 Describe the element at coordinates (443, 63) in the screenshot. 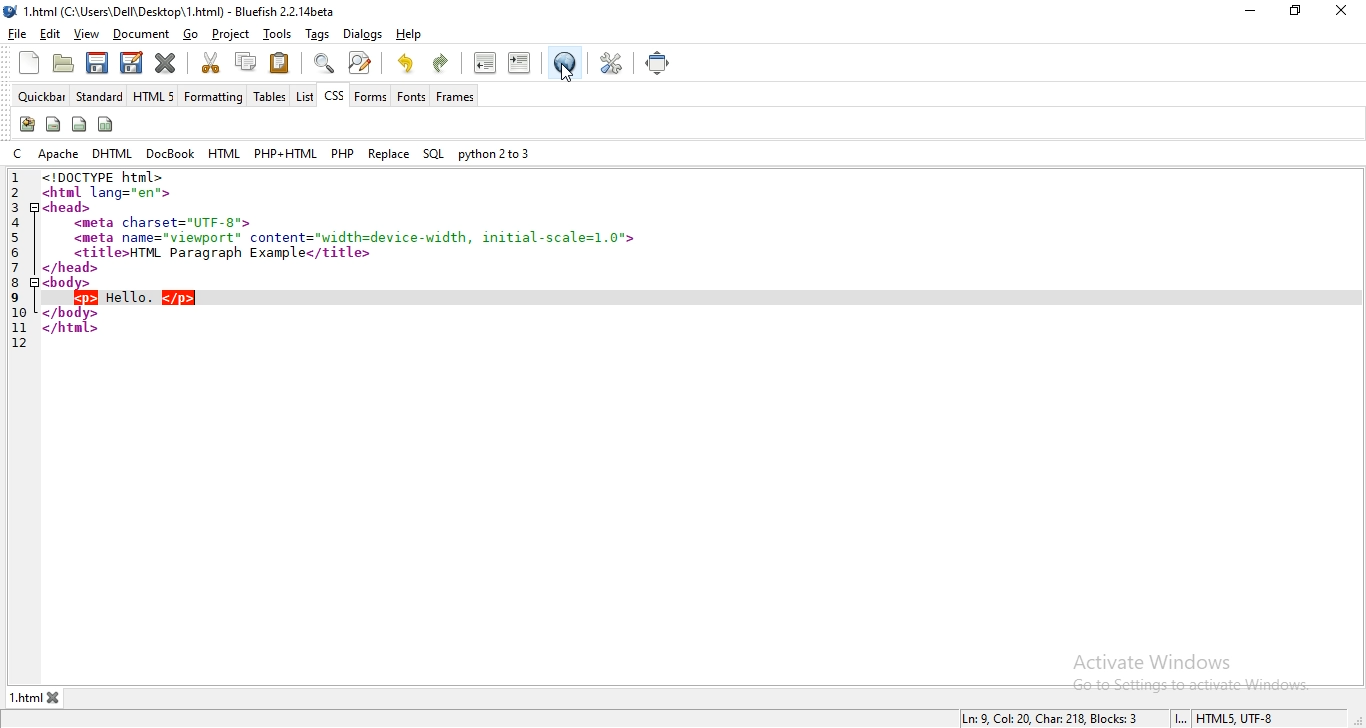

I see `redo` at that location.